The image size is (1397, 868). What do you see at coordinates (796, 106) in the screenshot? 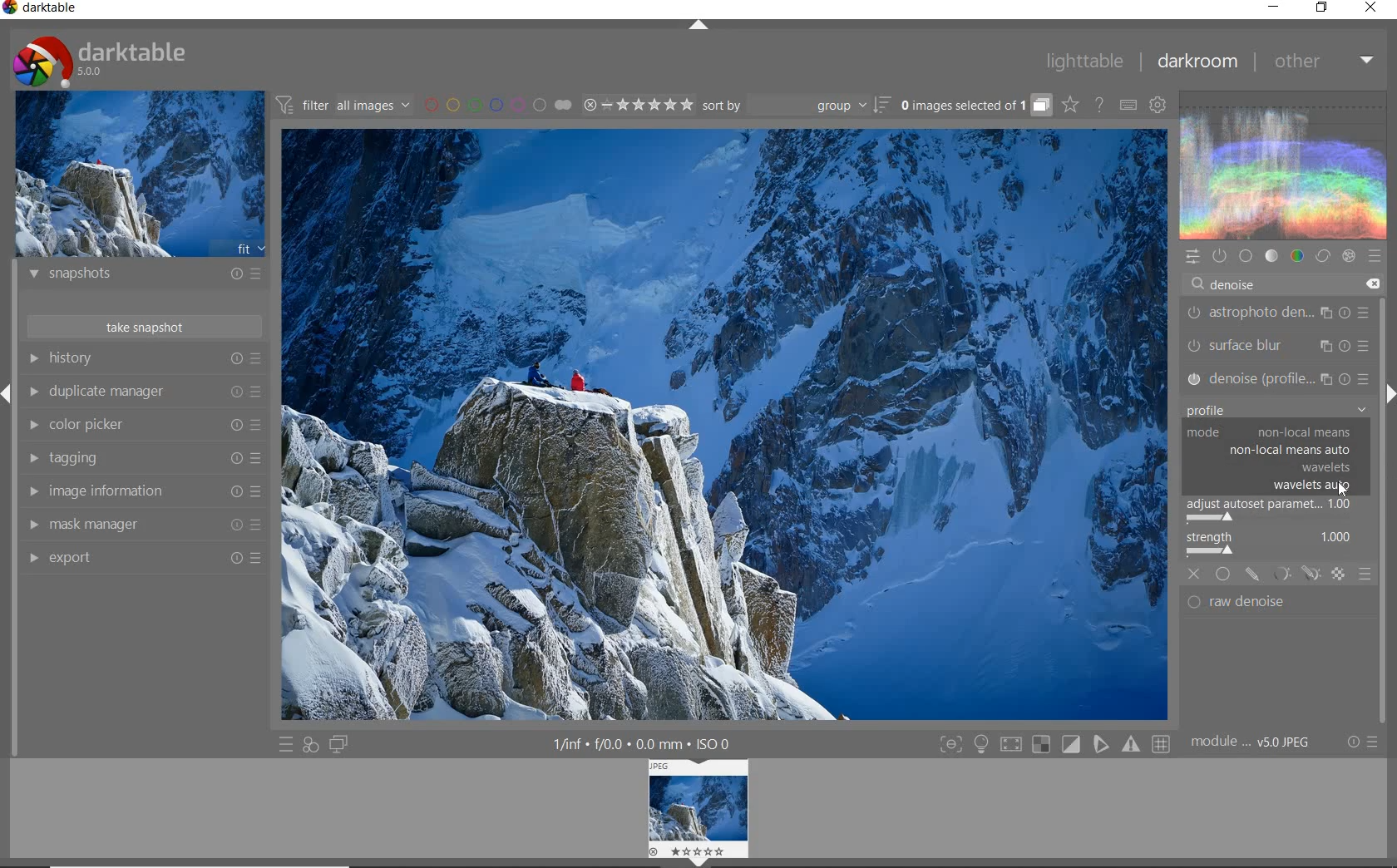
I see `sort` at bounding box center [796, 106].